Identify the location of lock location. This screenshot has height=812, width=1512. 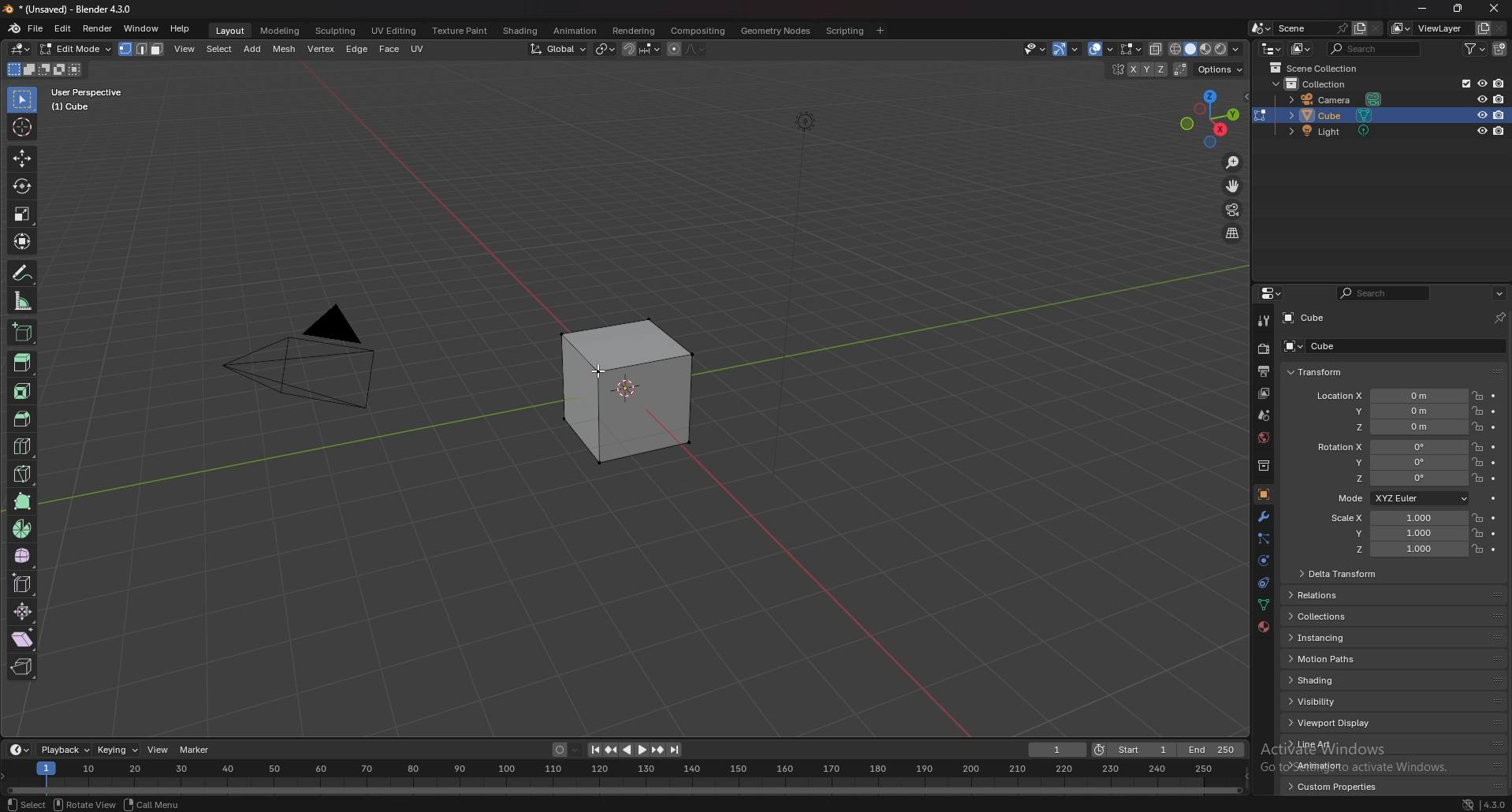
(1479, 447).